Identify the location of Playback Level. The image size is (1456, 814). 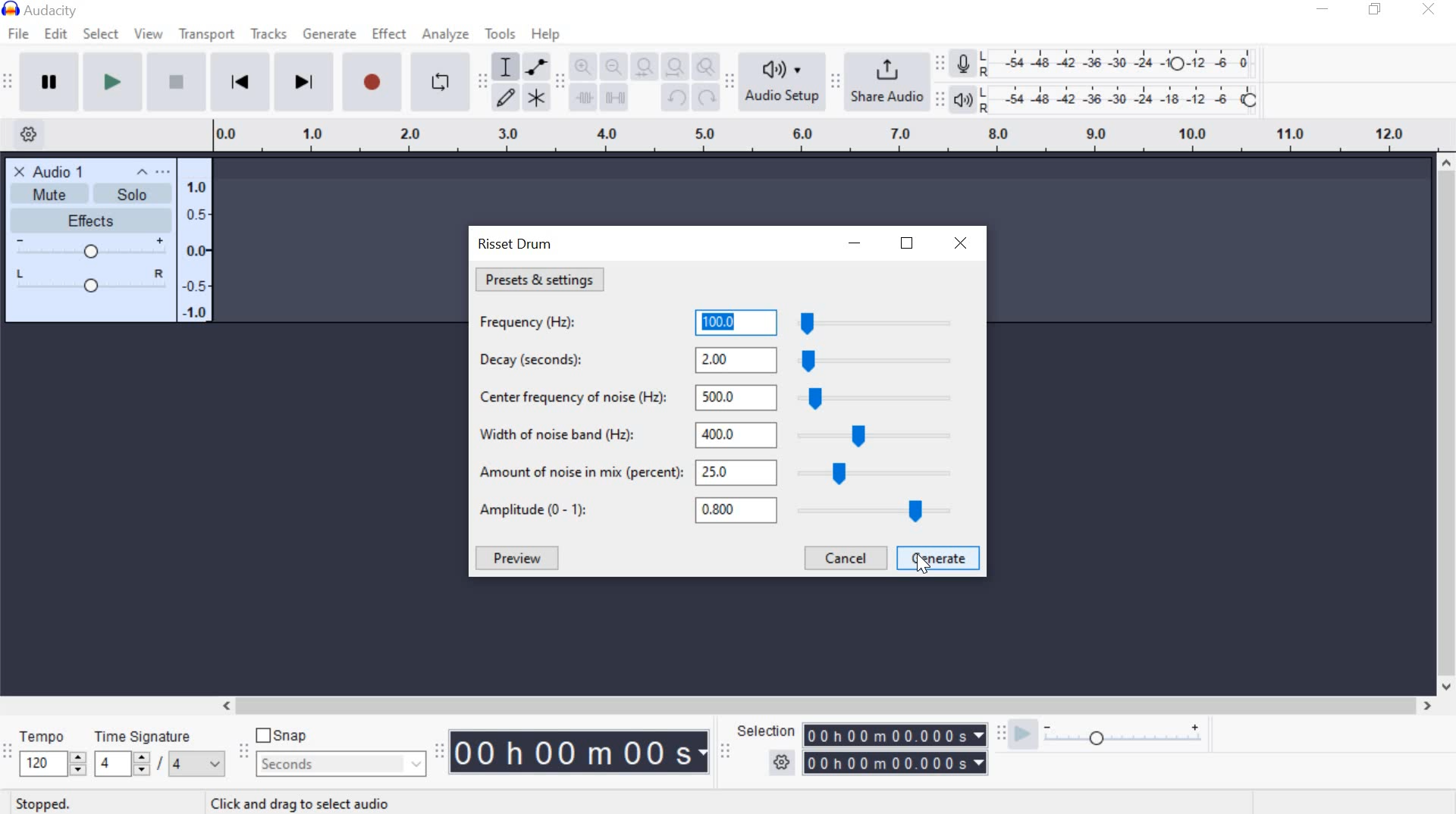
(91, 279).